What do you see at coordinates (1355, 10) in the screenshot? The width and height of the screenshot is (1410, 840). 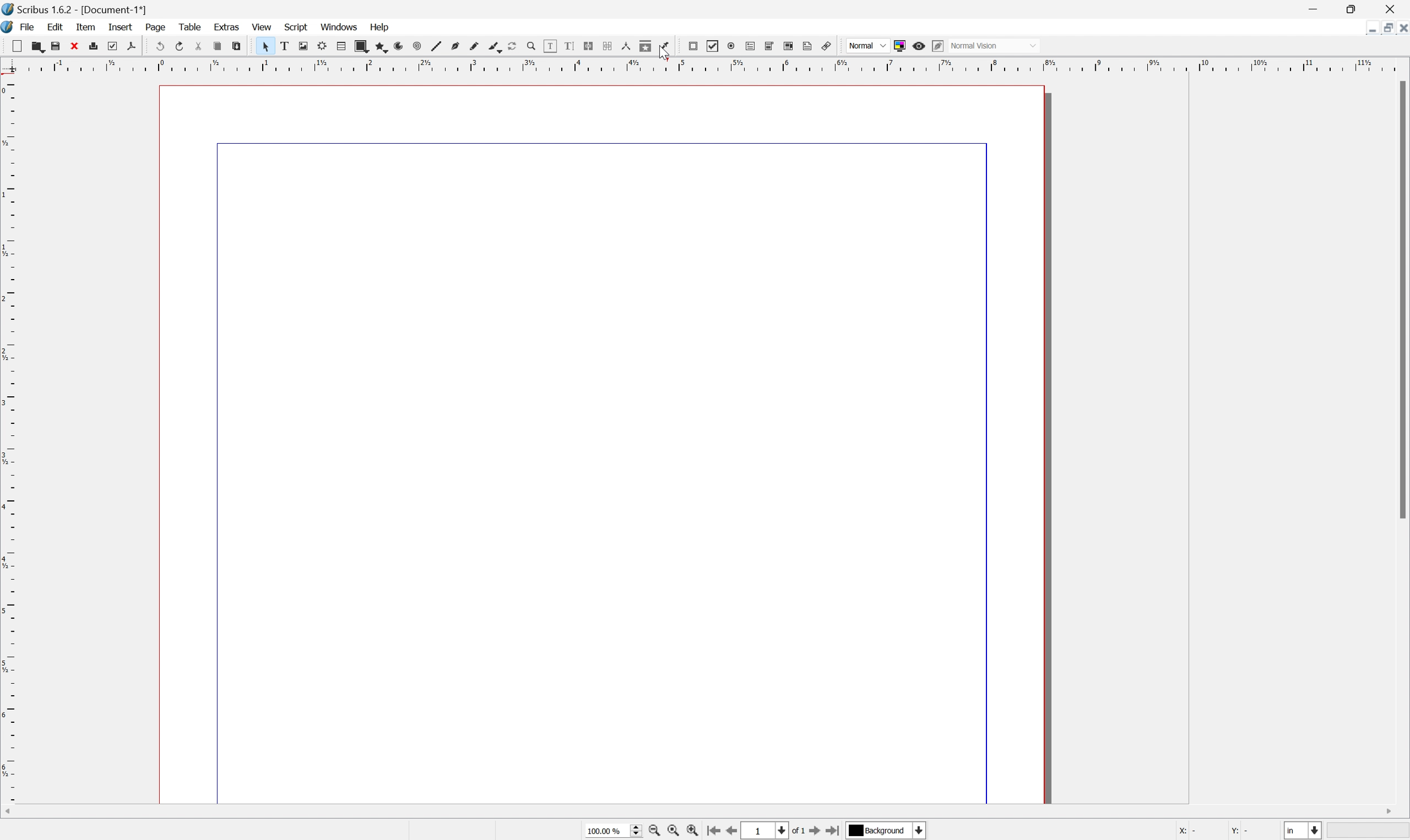 I see `Restore Down` at bounding box center [1355, 10].